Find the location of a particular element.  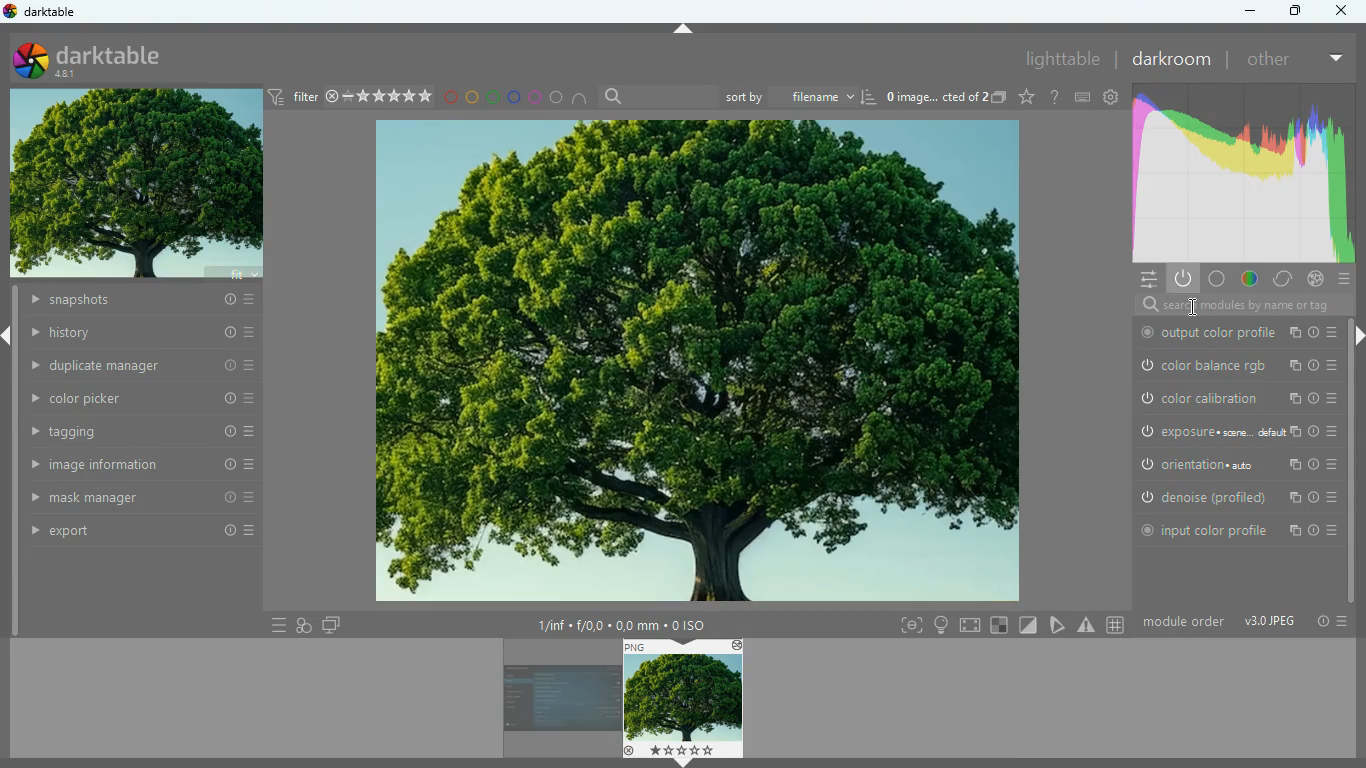

mask manager is located at coordinates (143, 499).